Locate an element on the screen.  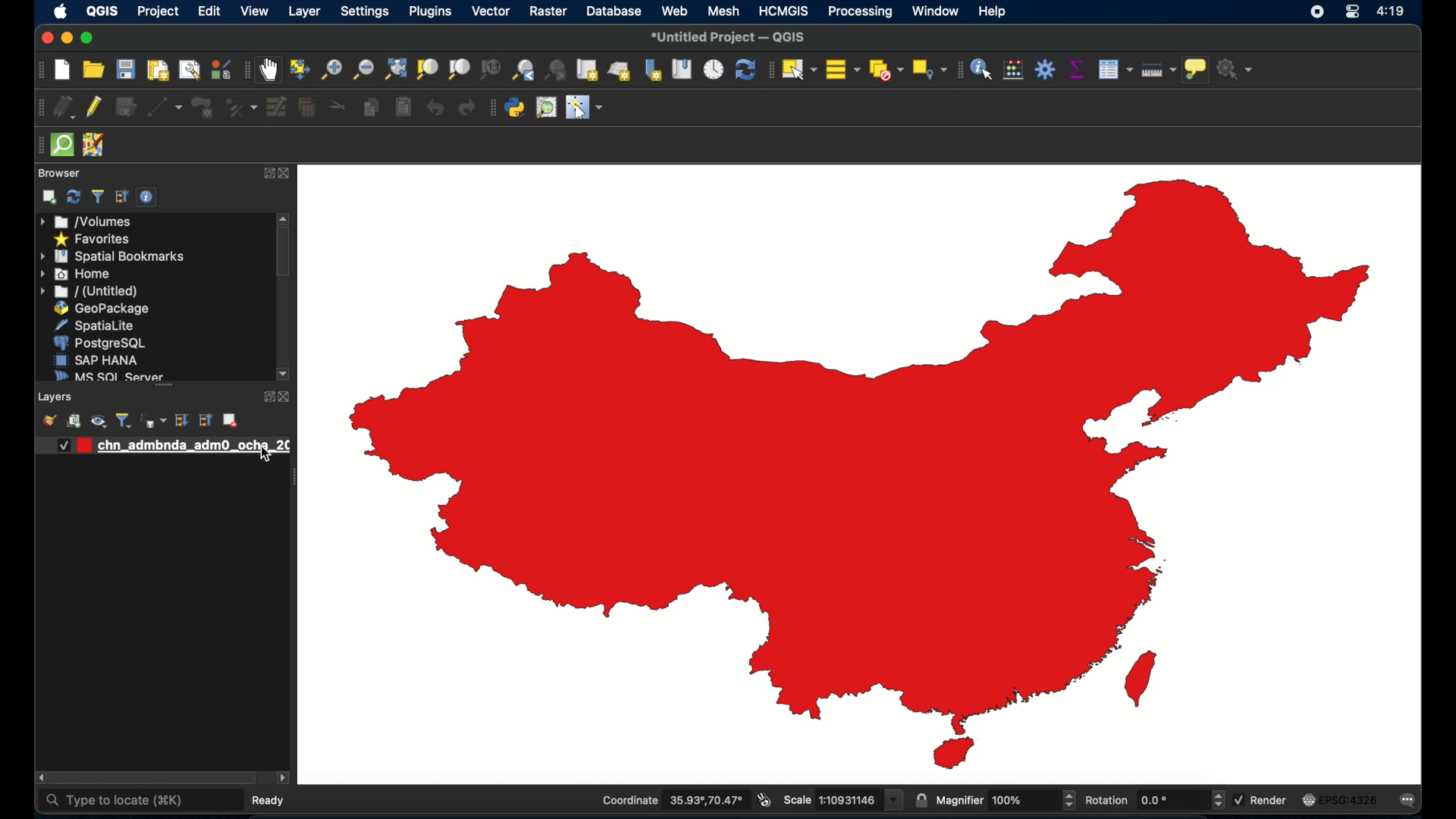
apple icon is located at coordinates (59, 11).